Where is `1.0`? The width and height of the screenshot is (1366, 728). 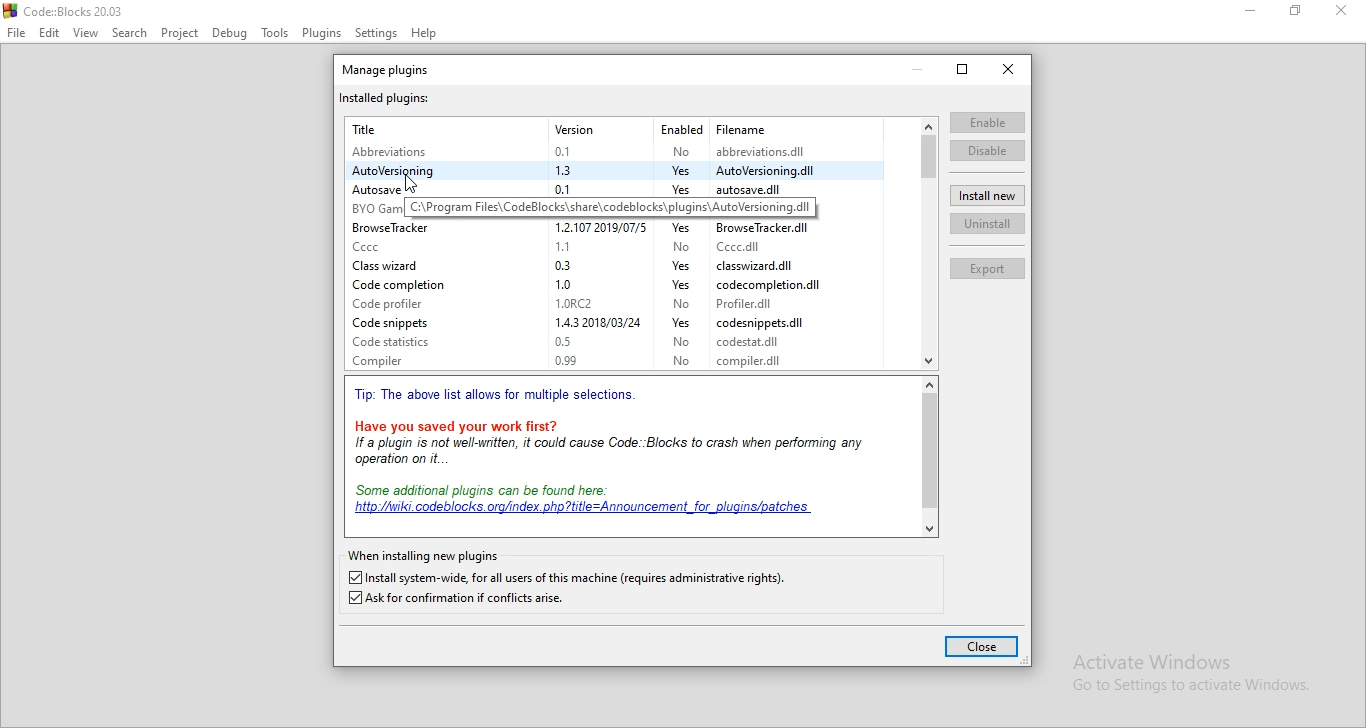 1.0 is located at coordinates (565, 282).